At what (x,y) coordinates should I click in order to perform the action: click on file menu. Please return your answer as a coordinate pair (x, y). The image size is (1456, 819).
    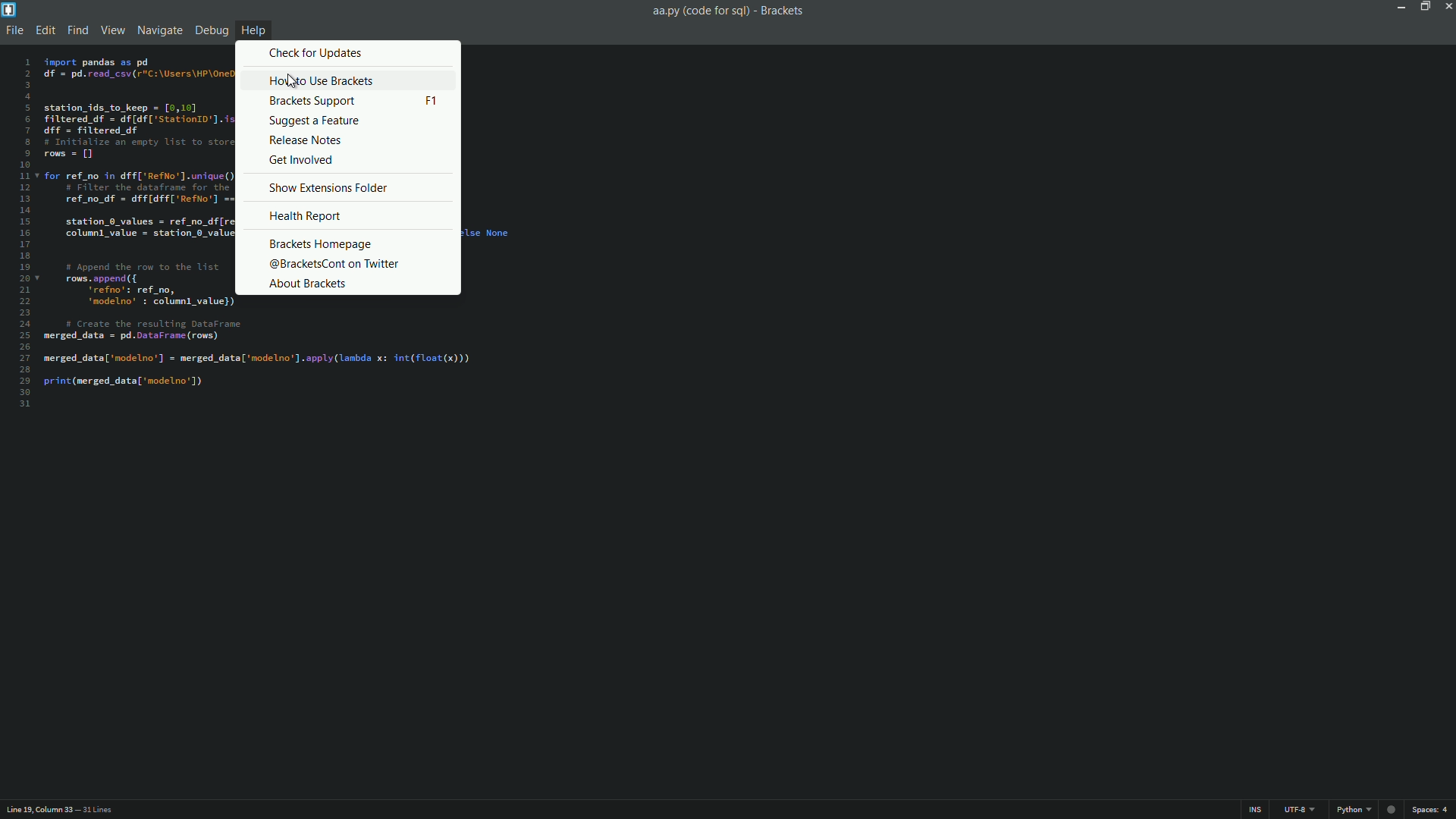
    Looking at the image, I should click on (14, 31).